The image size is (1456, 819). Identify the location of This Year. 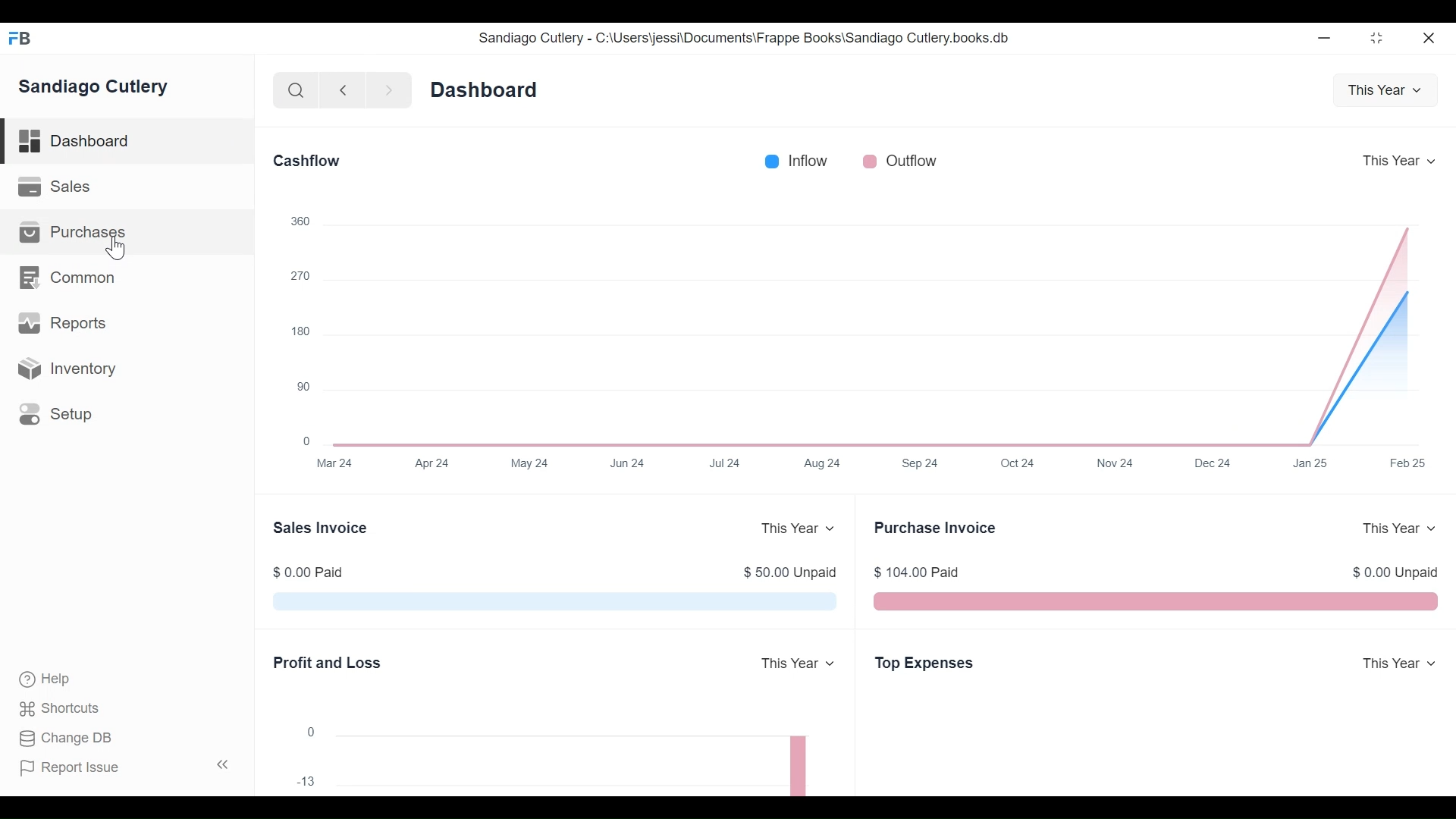
(1397, 528).